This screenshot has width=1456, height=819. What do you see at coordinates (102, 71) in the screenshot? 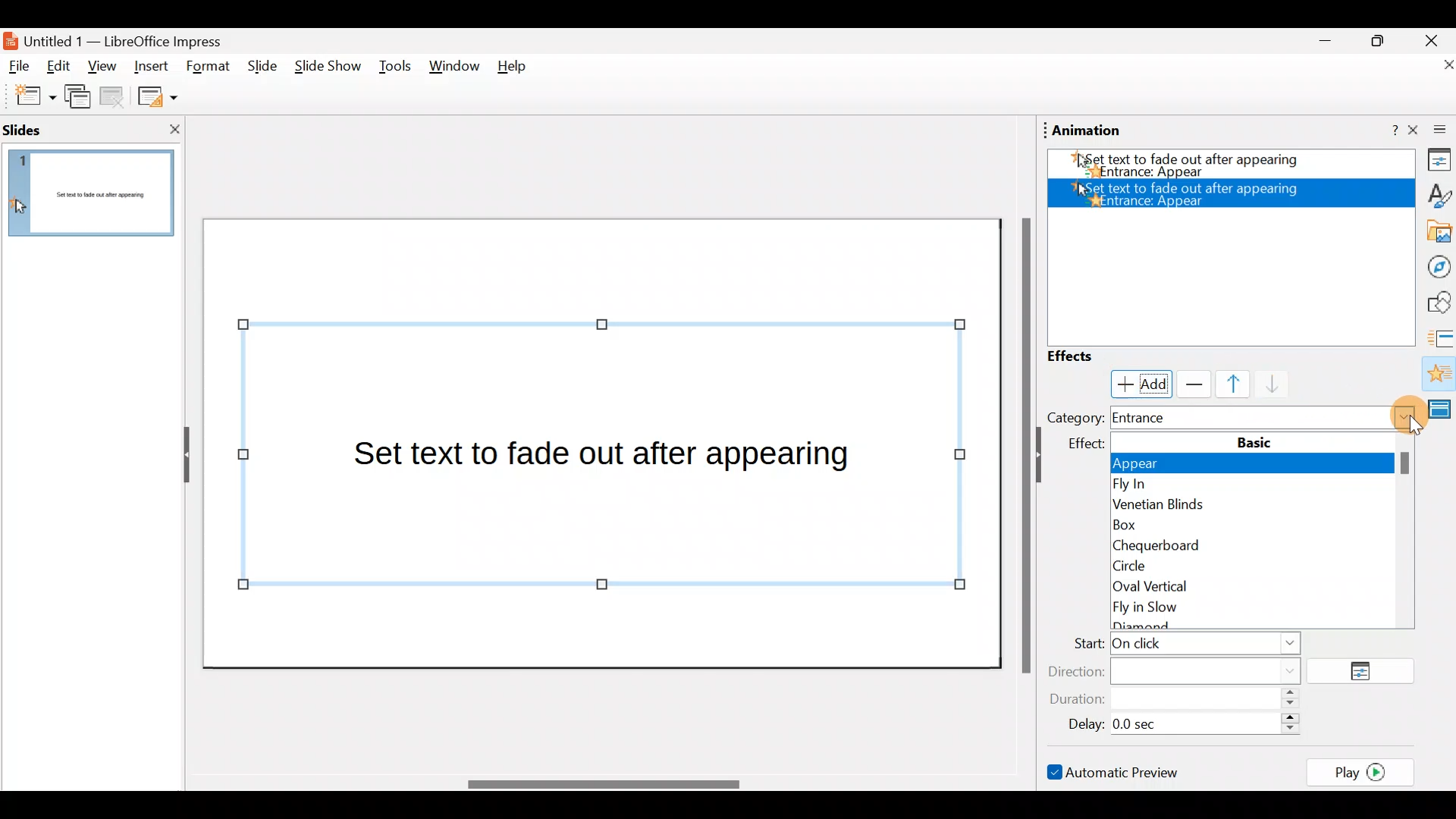
I see `View` at bounding box center [102, 71].